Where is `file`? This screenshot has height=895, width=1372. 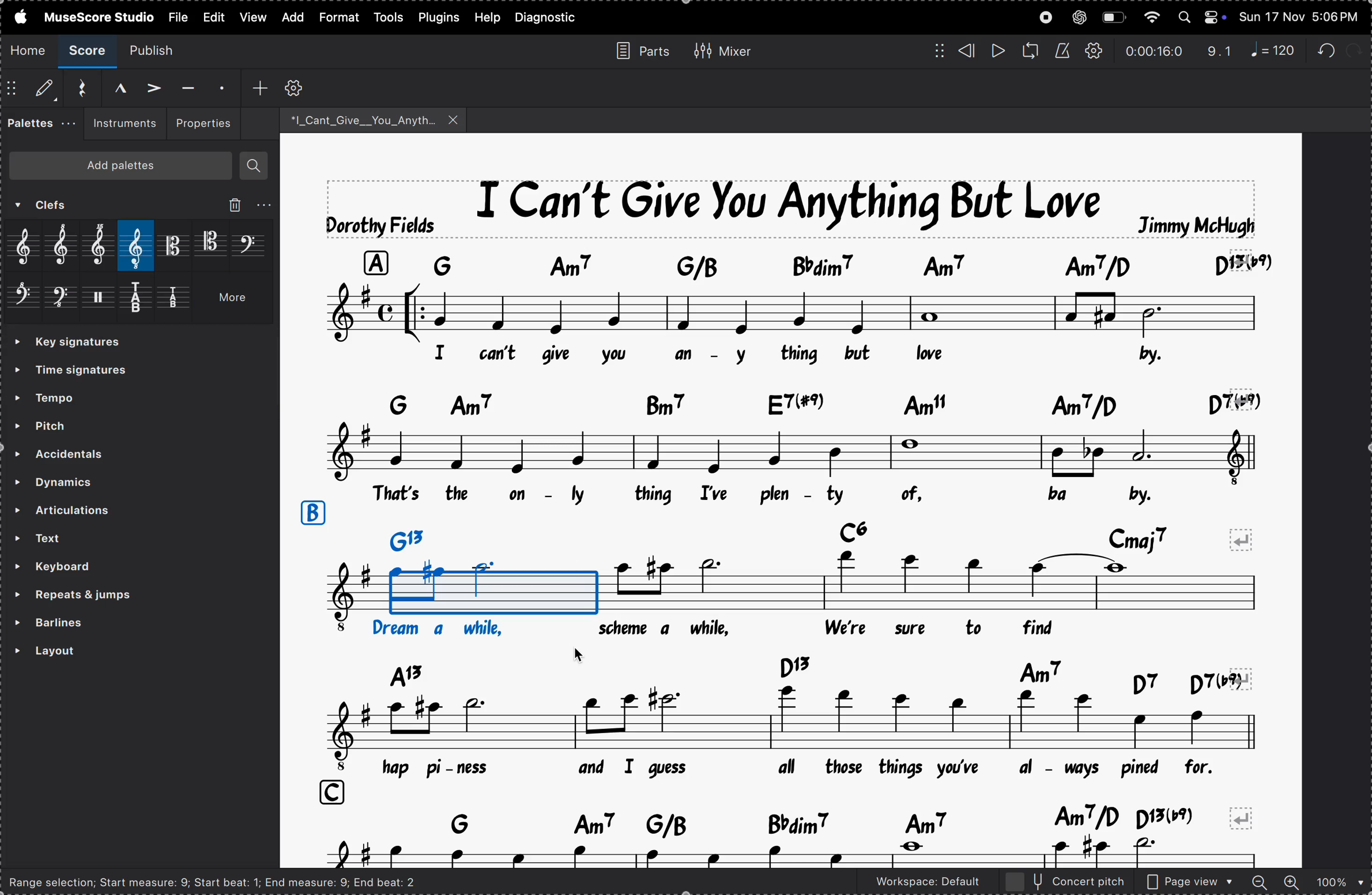
file is located at coordinates (177, 16).